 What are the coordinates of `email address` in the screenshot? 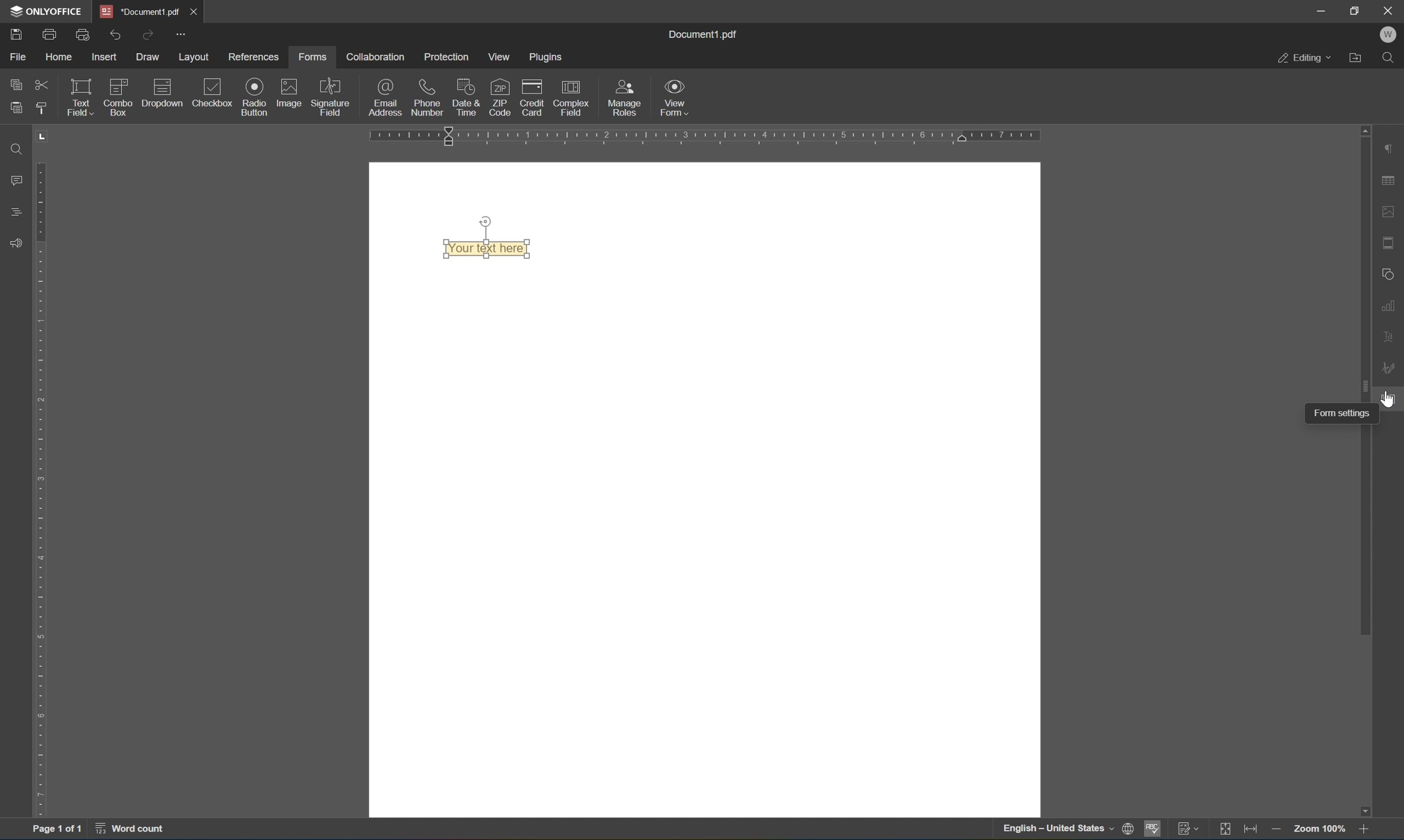 It's located at (386, 97).